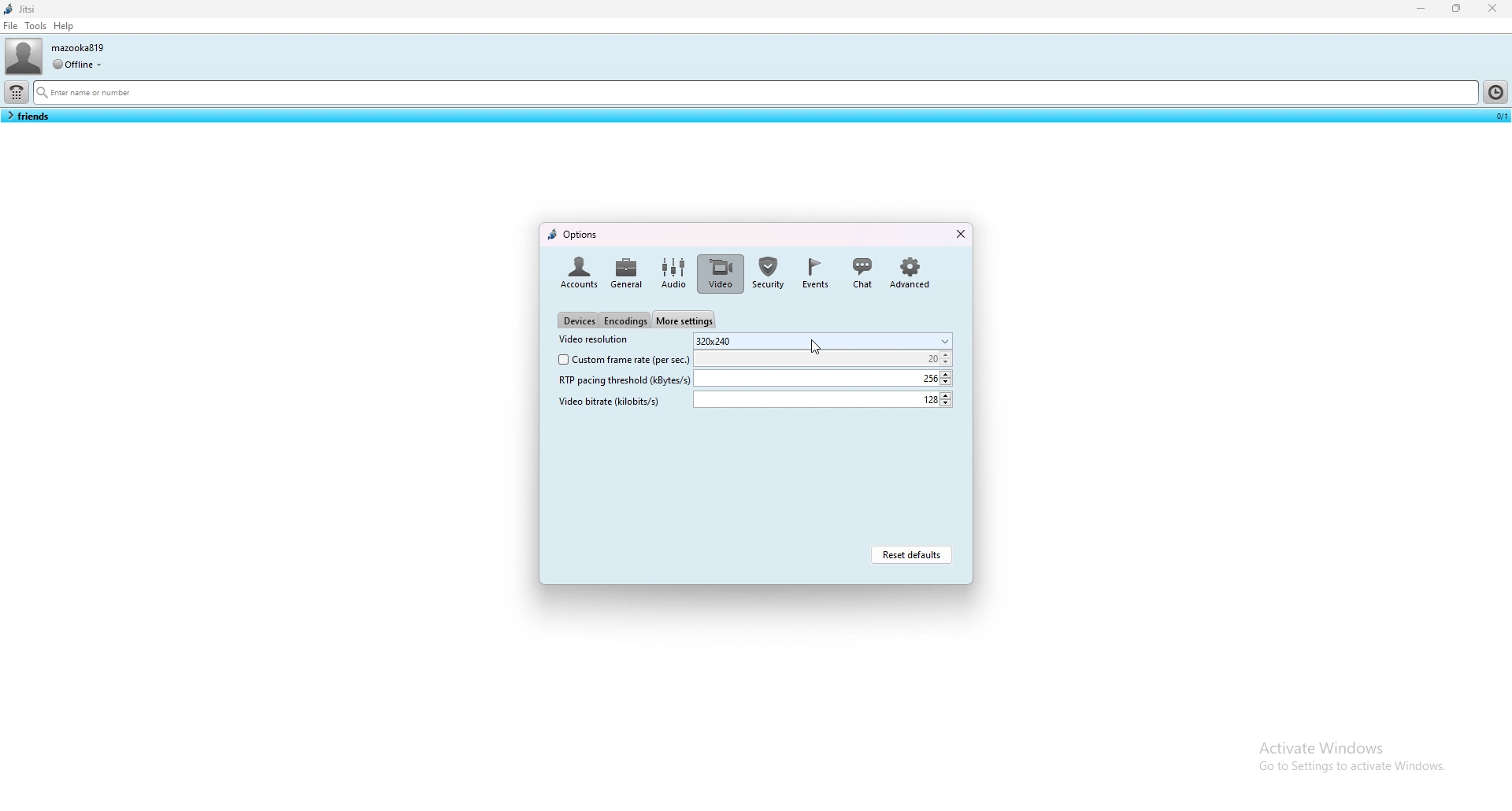  I want to click on file, so click(11, 25).